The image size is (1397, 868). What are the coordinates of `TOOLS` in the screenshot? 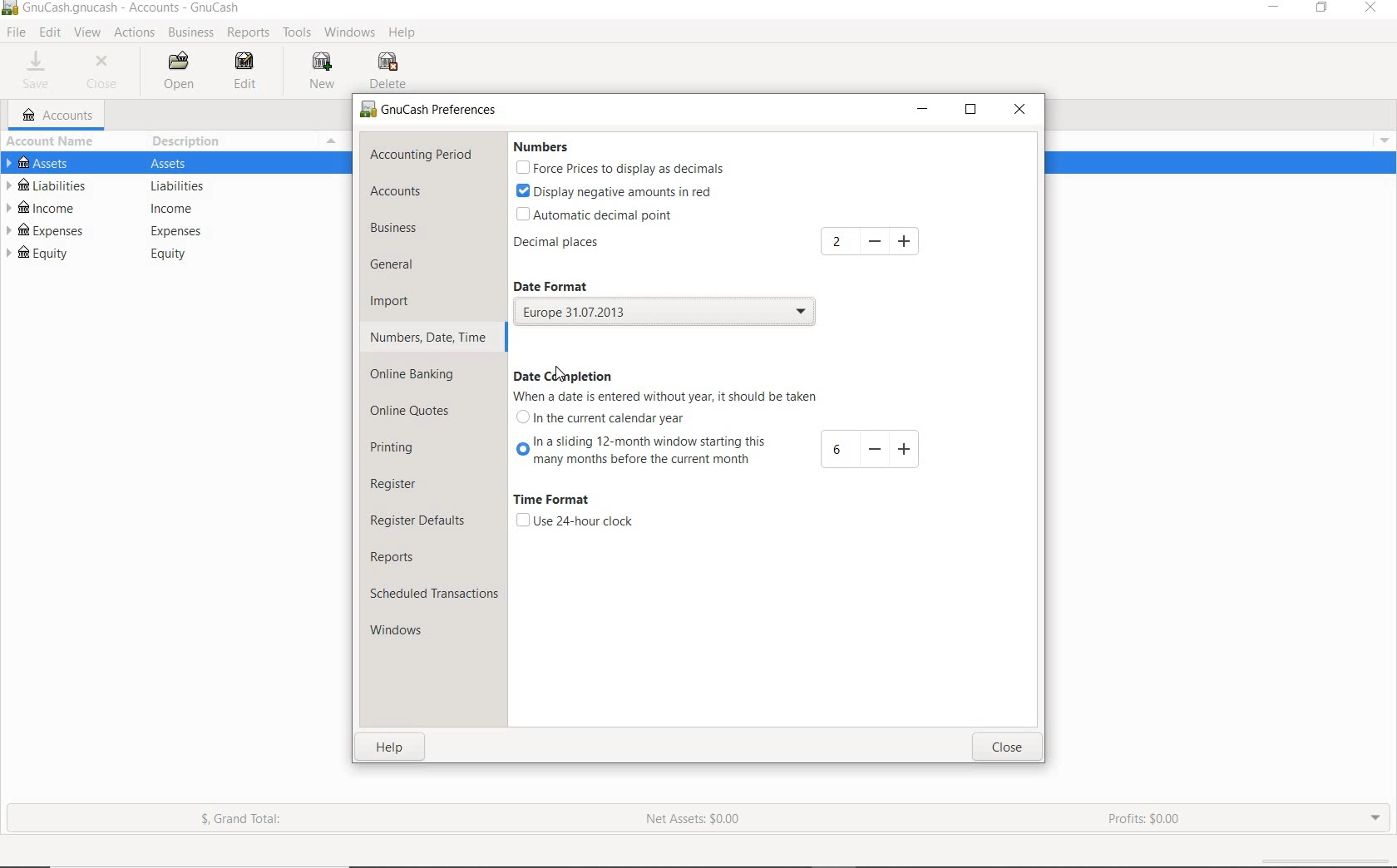 It's located at (298, 35).